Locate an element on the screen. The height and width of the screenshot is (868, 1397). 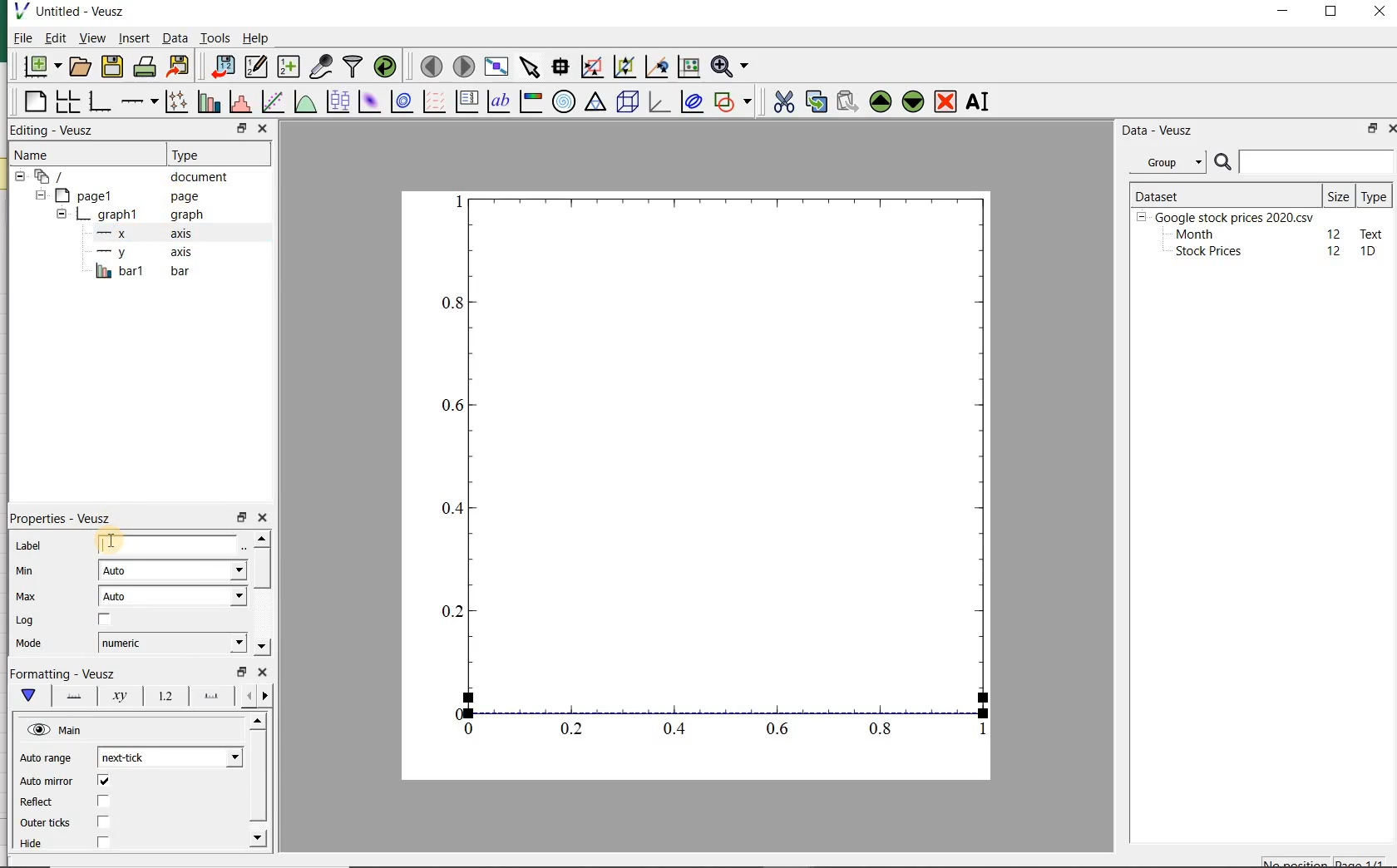
plot bar charts is located at coordinates (206, 103).